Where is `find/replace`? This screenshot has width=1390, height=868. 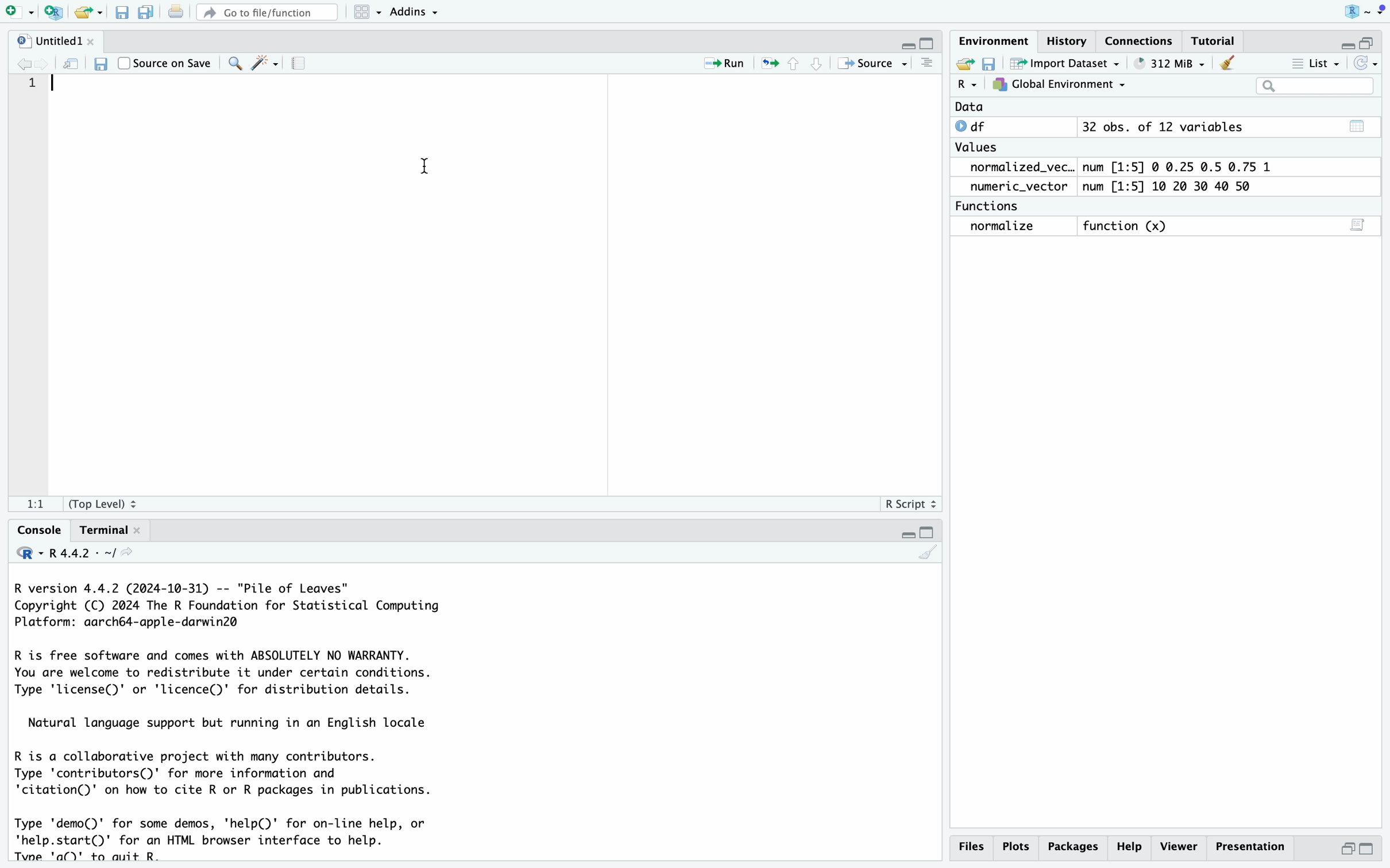 find/replace is located at coordinates (231, 63).